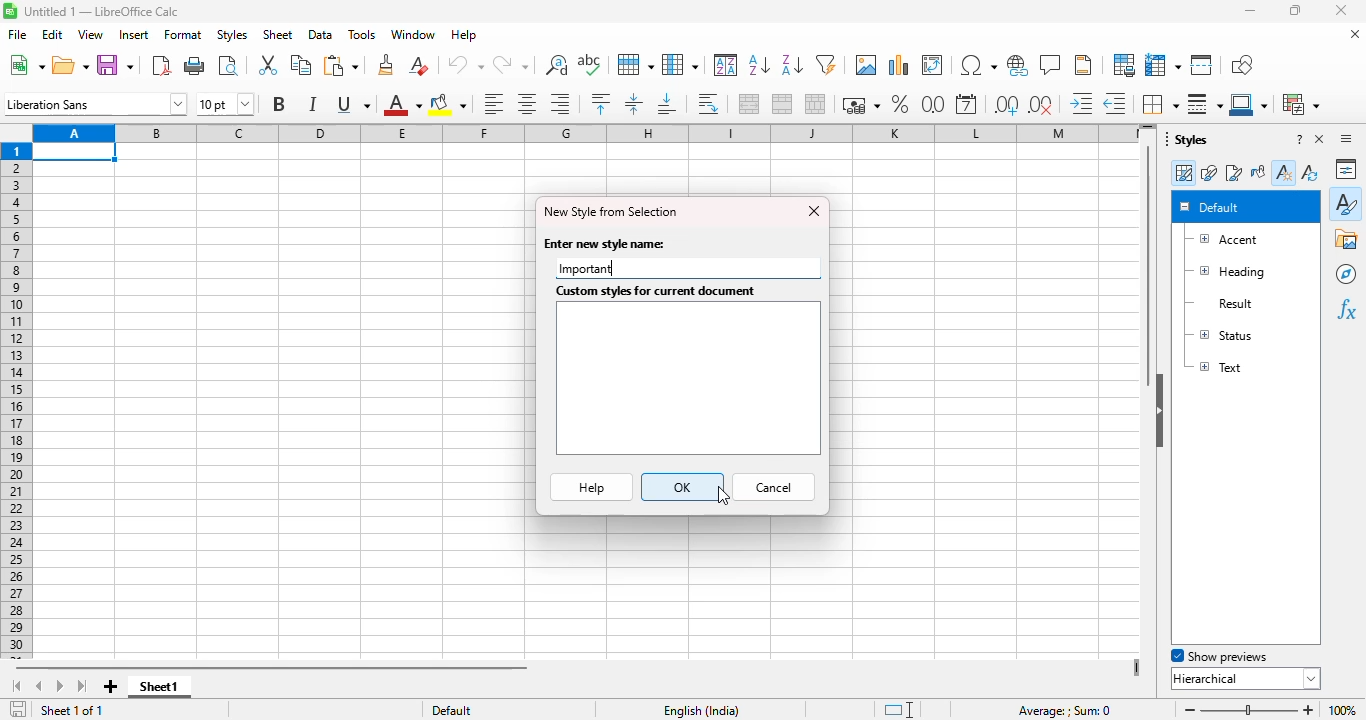 The image size is (1366, 720). Describe the element at coordinates (465, 65) in the screenshot. I see `undo` at that location.